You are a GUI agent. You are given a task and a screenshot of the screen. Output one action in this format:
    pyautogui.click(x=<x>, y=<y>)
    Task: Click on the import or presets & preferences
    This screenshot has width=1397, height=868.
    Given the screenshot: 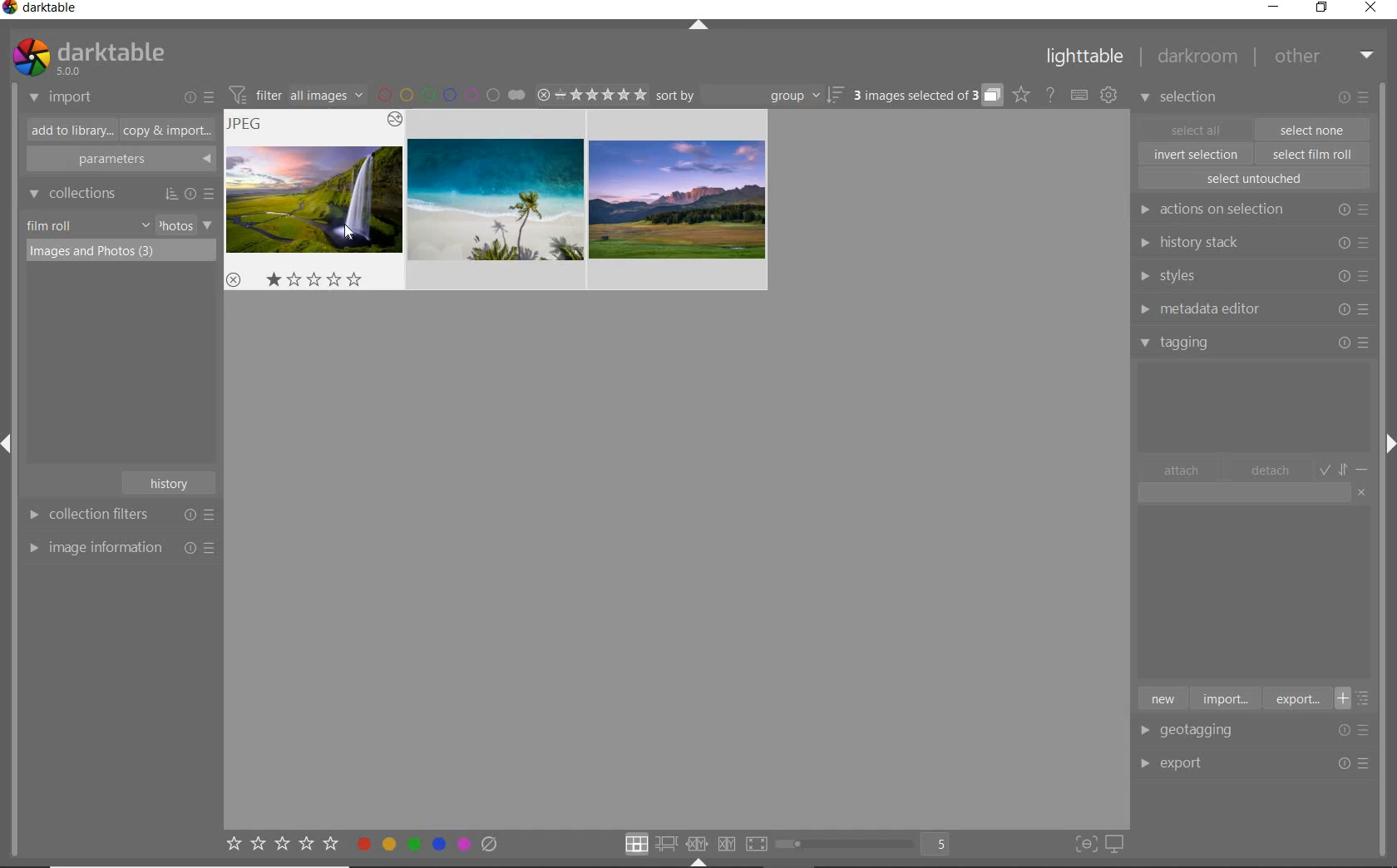 What is the action you would take?
    pyautogui.click(x=199, y=96)
    